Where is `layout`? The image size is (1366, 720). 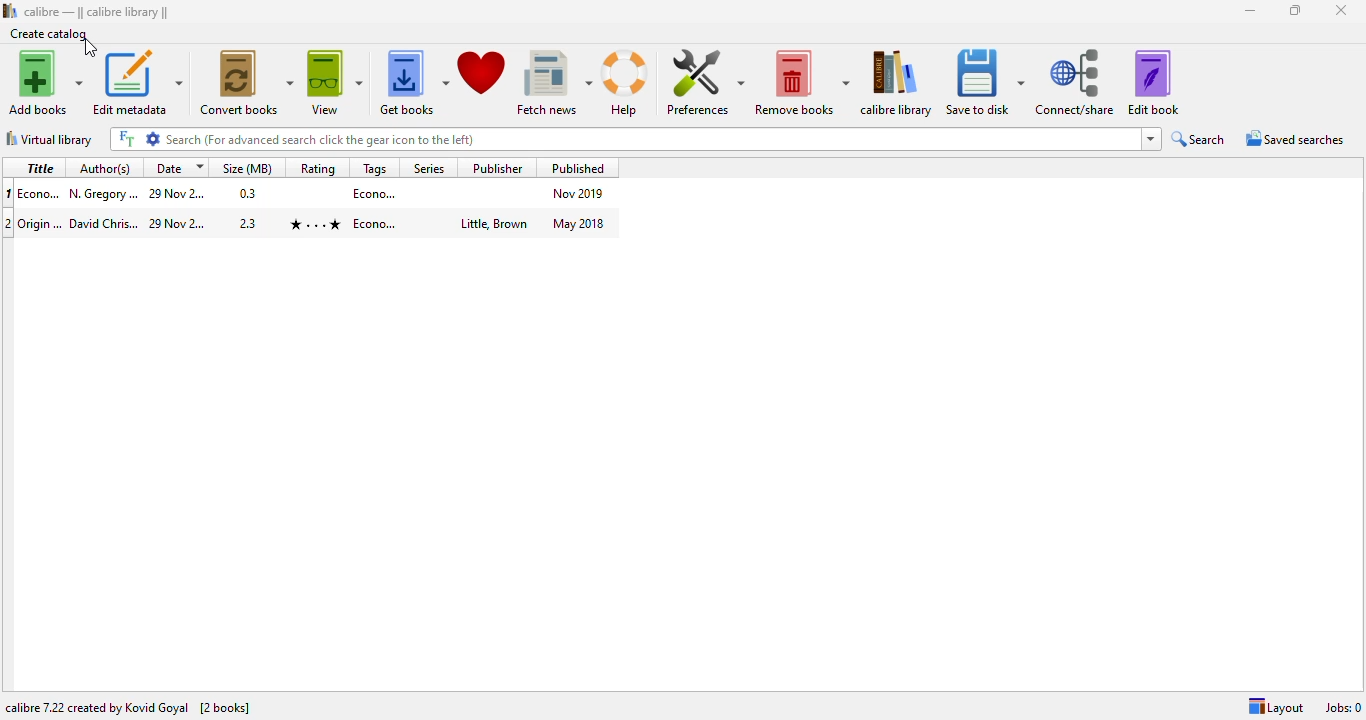
layout is located at coordinates (1276, 707).